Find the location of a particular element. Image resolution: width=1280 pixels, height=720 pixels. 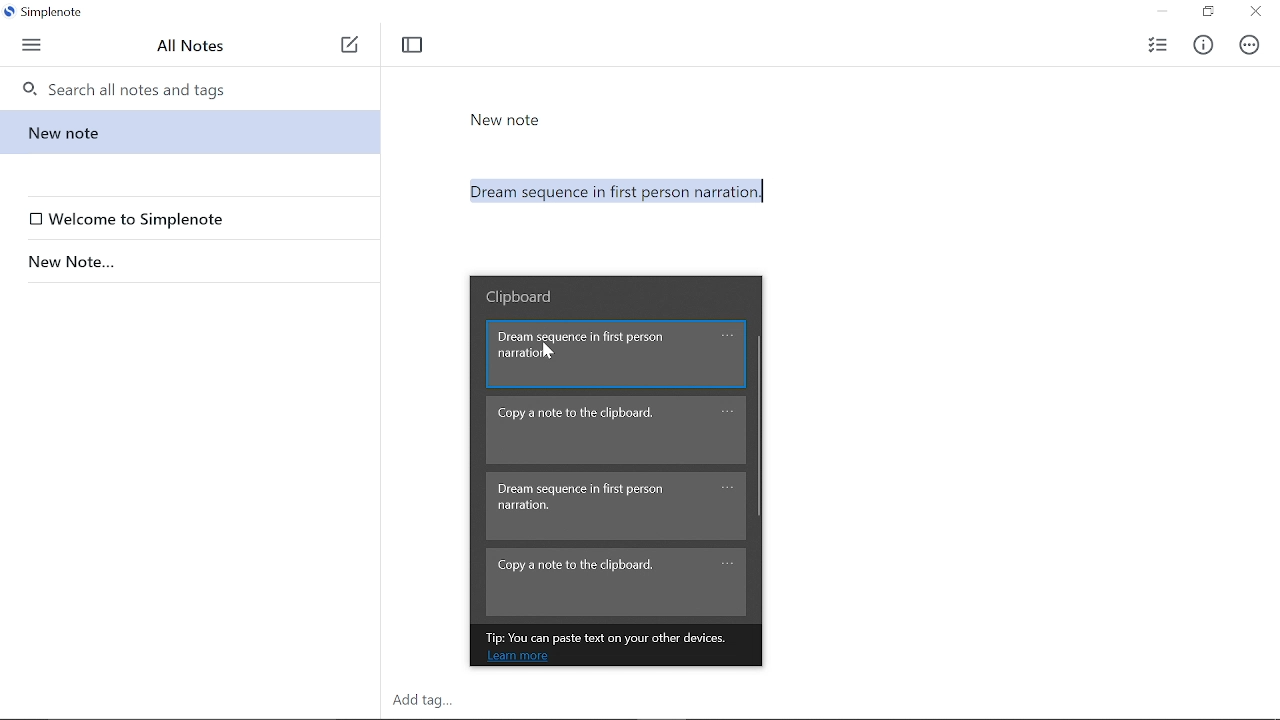

New Note... is located at coordinates (186, 262).